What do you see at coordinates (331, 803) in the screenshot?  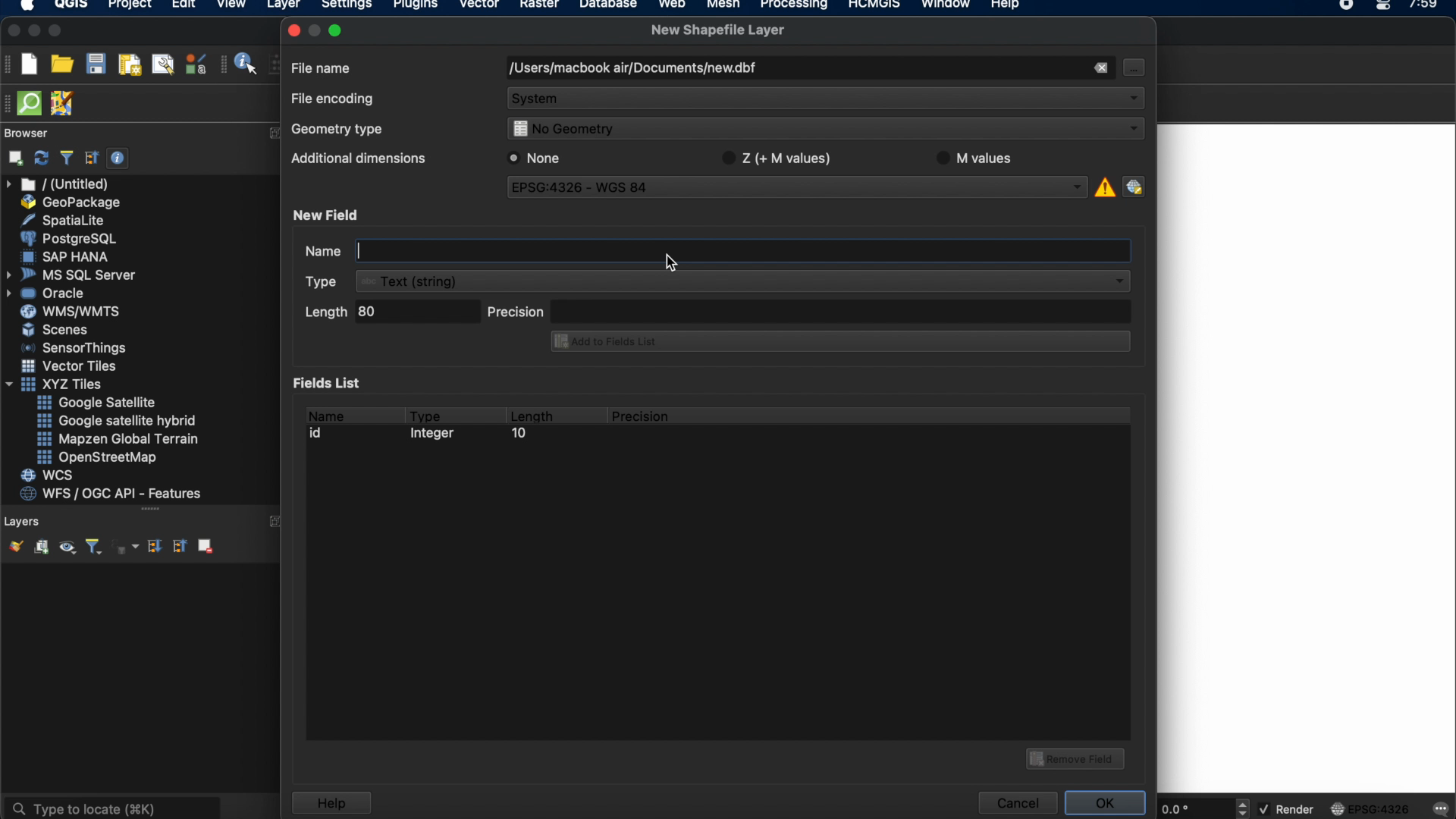 I see `help` at bounding box center [331, 803].